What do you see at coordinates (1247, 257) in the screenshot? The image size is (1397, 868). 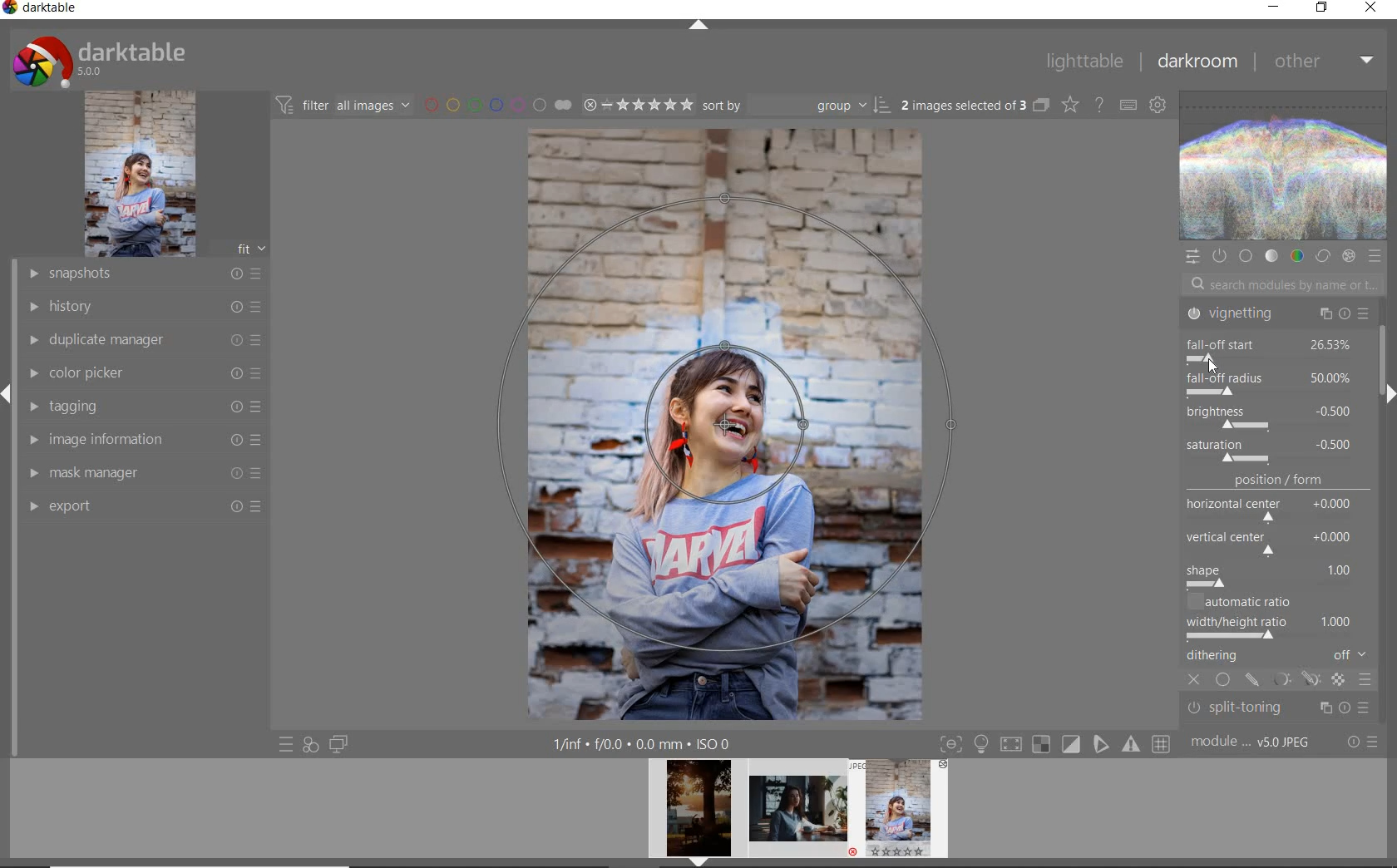 I see `base ` at bounding box center [1247, 257].